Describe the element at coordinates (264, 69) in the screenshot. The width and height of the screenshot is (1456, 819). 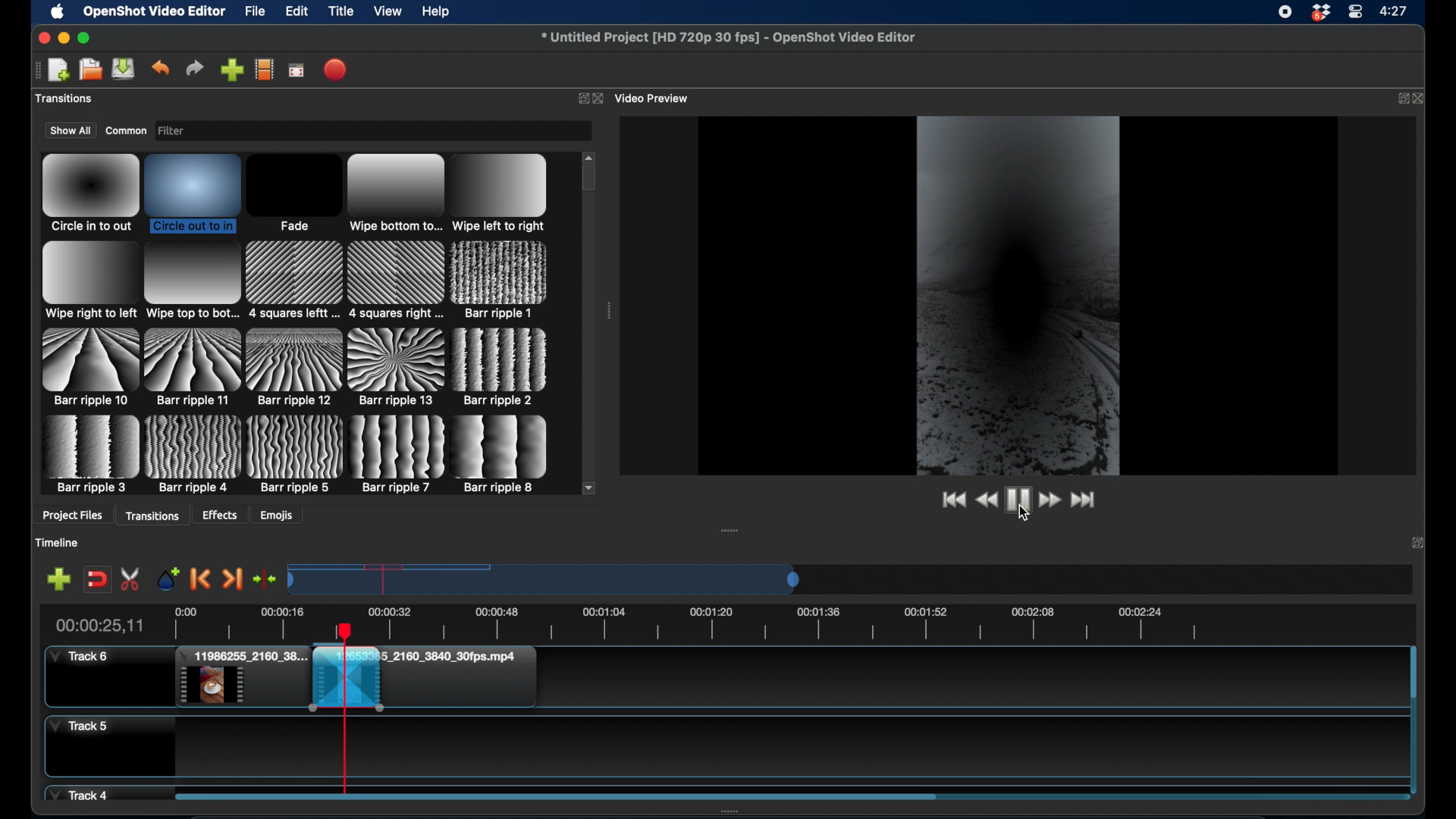
I see `choose profile` at that location.